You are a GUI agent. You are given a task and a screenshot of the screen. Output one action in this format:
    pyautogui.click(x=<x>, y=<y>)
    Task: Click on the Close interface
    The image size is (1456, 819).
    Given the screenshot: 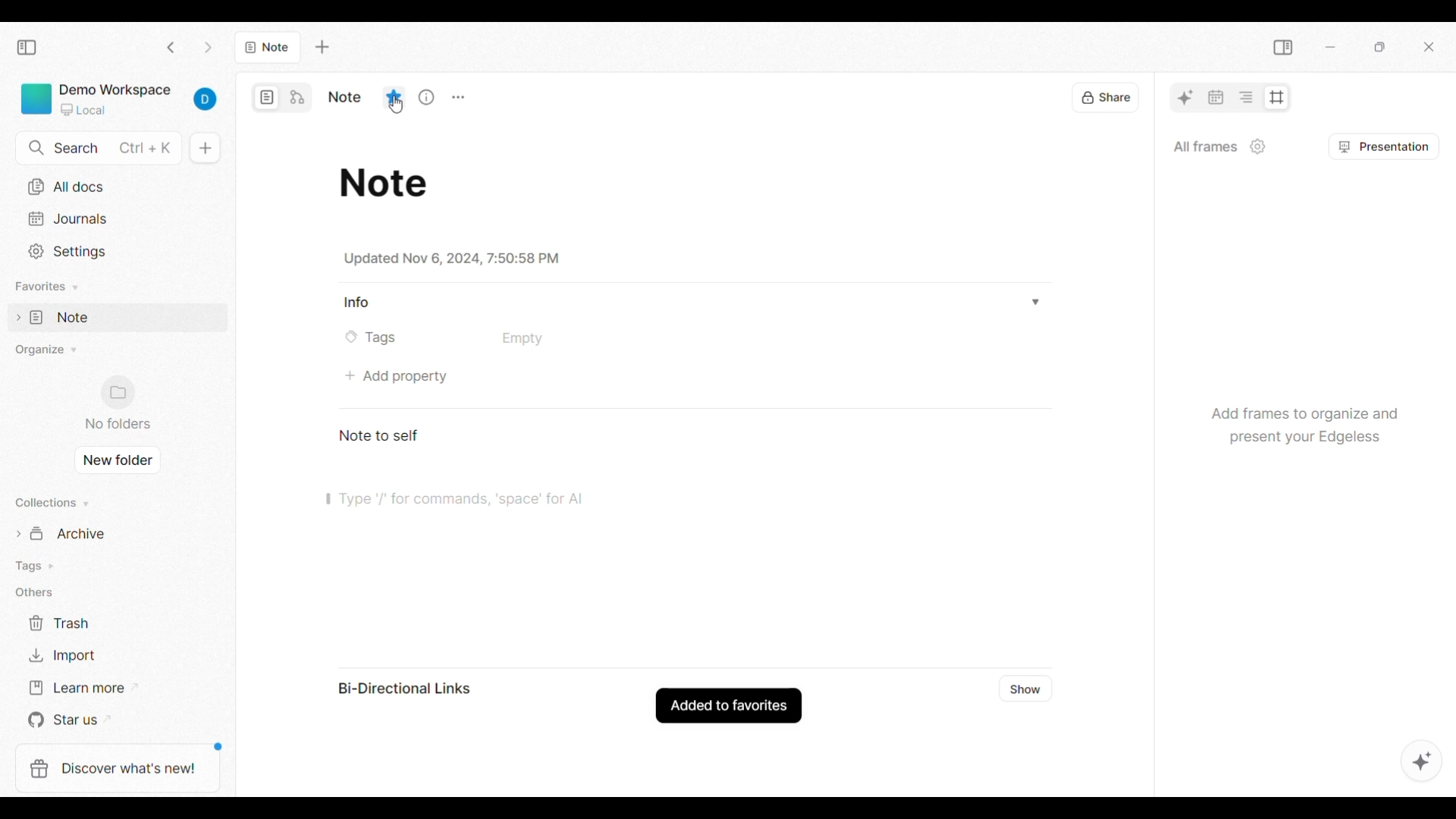 What is the action you would take?
    pyautogui.click(x=1429, y=47)
    